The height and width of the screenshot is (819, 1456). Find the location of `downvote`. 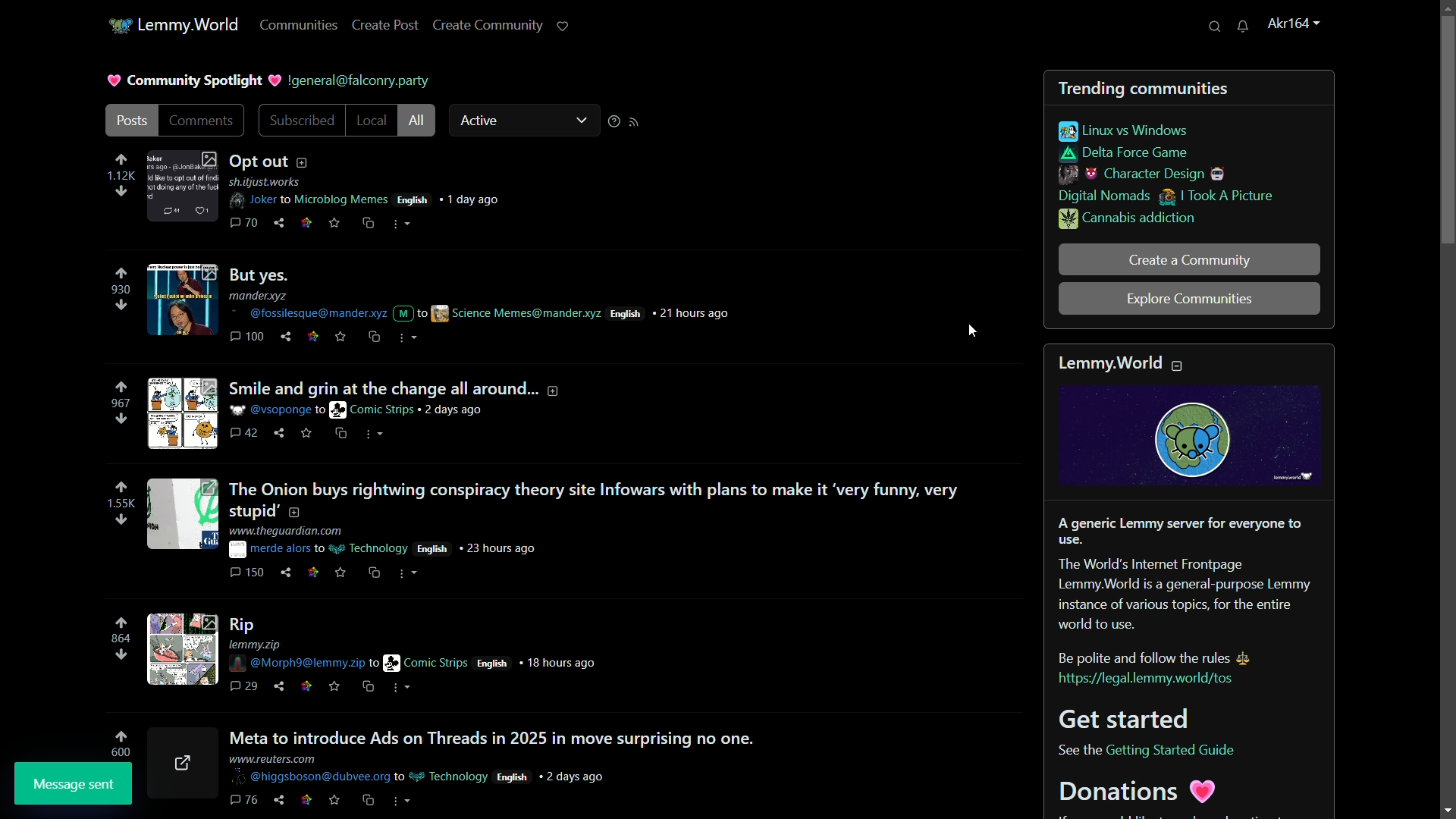

downvote is located at coordinates (121, 521).